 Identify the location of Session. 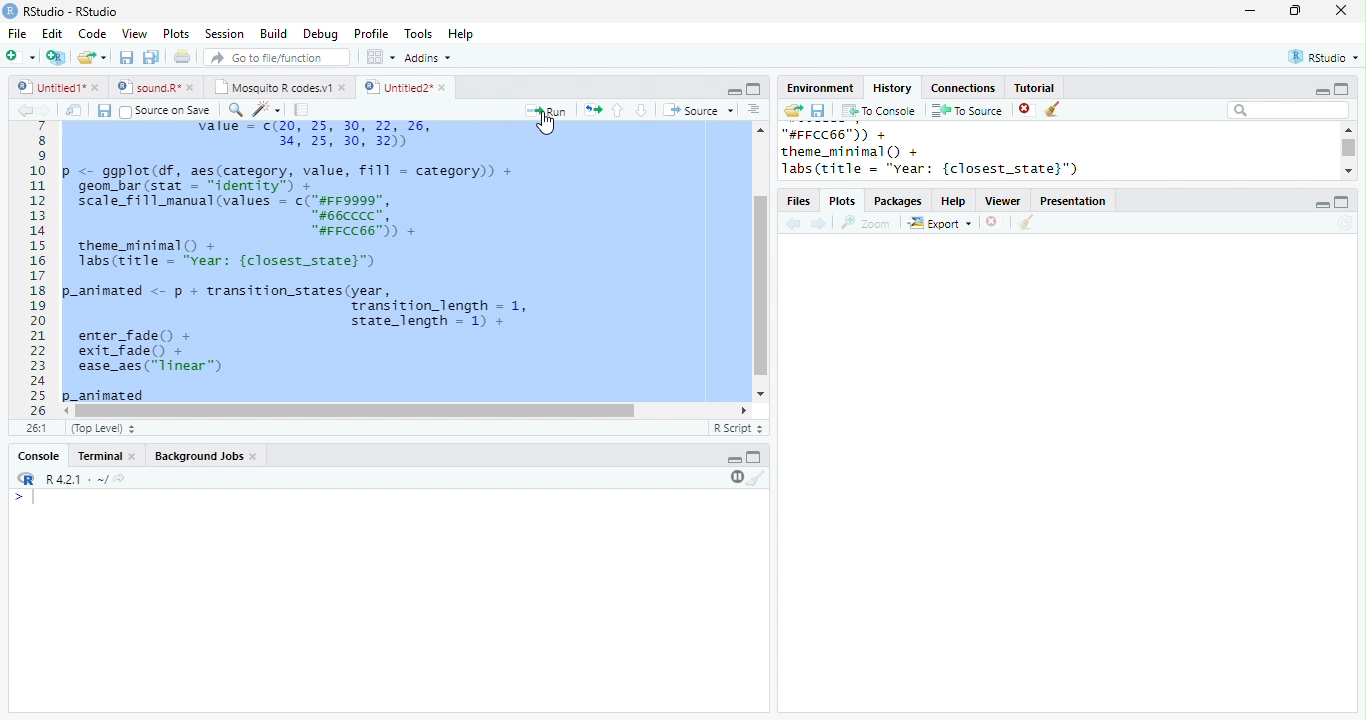
(223, 34).